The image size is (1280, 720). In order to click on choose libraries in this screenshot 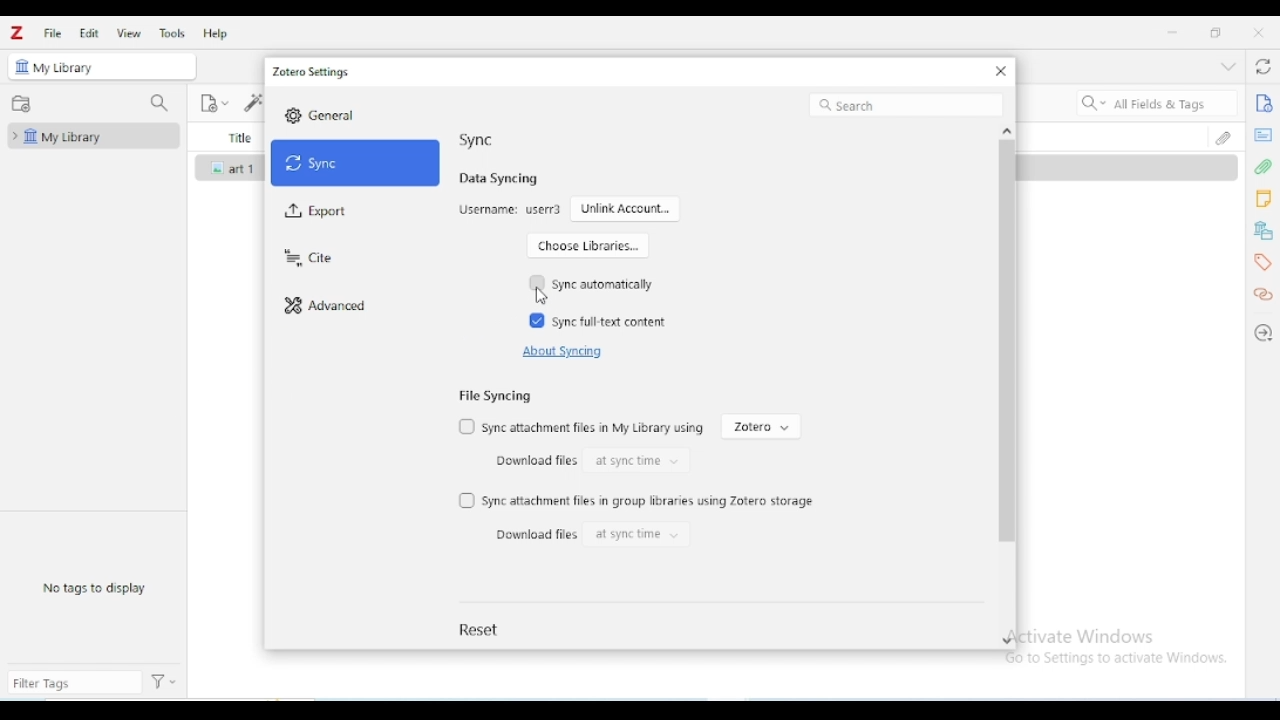, I will do `click(587, 245)`.